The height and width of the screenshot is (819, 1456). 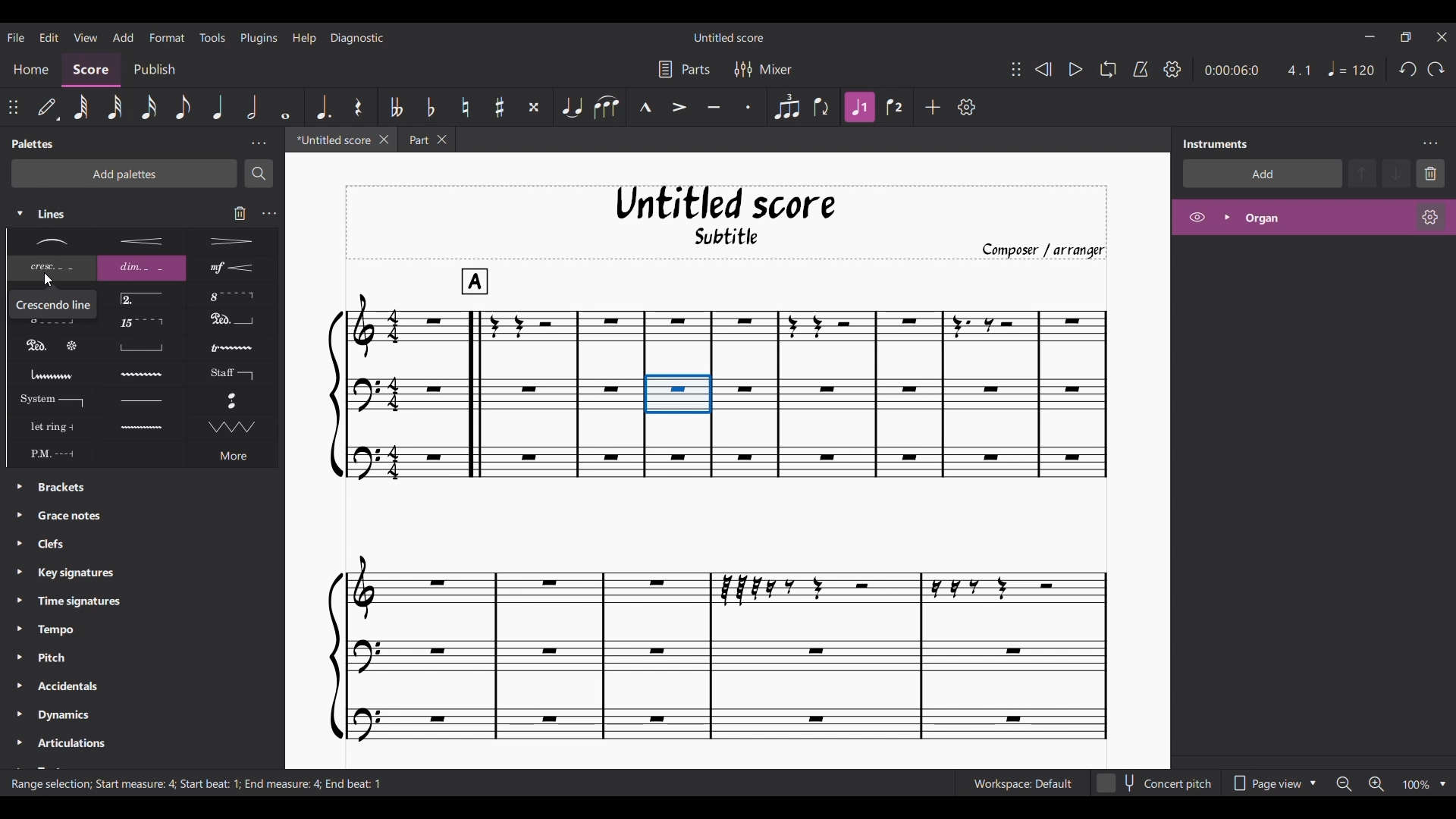 What do you see at coordinates (1443, 785) in the screenshot?
I see `Zoom options` at bounding box center [1443, 785].